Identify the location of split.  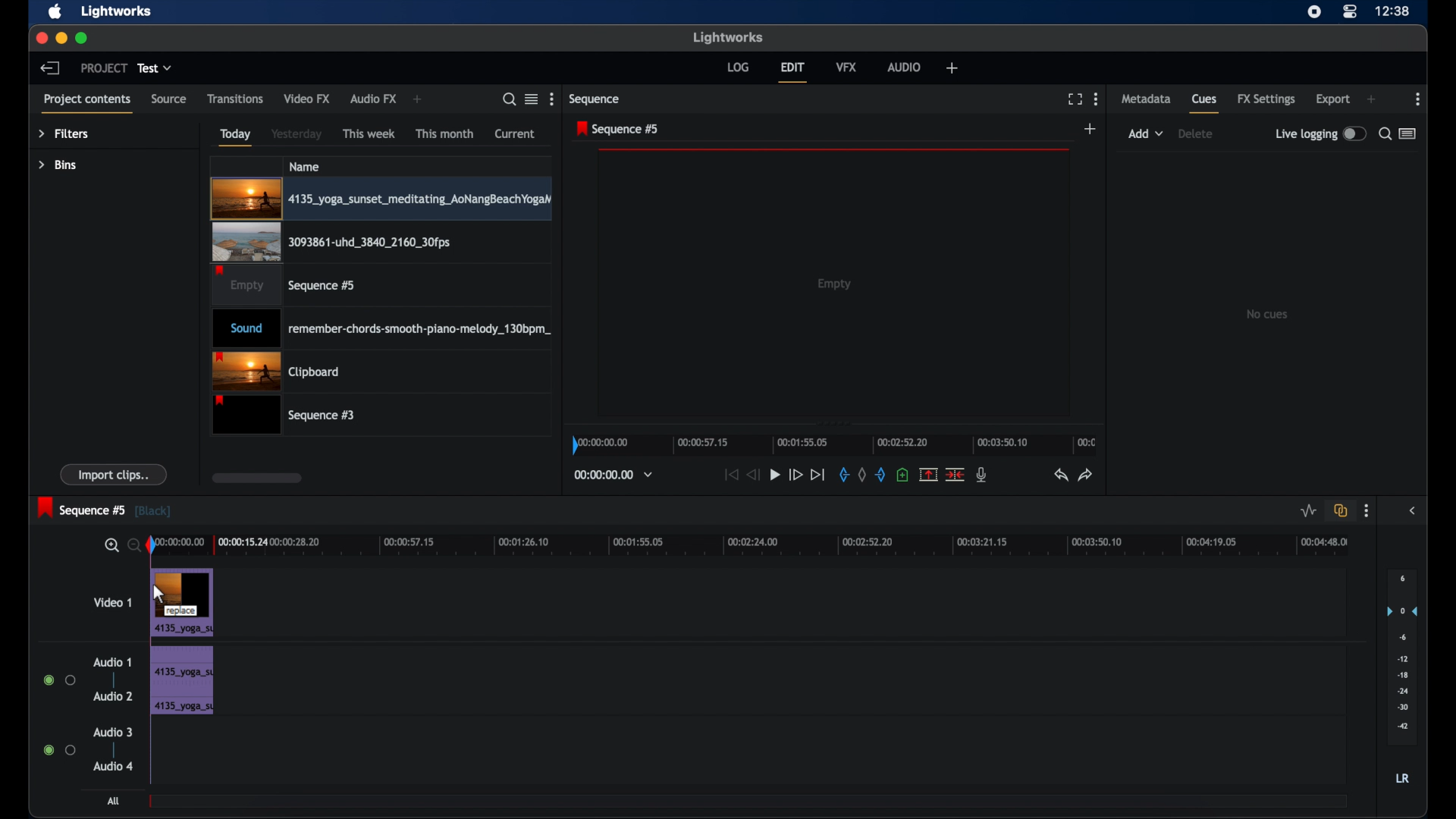
(955, 475).